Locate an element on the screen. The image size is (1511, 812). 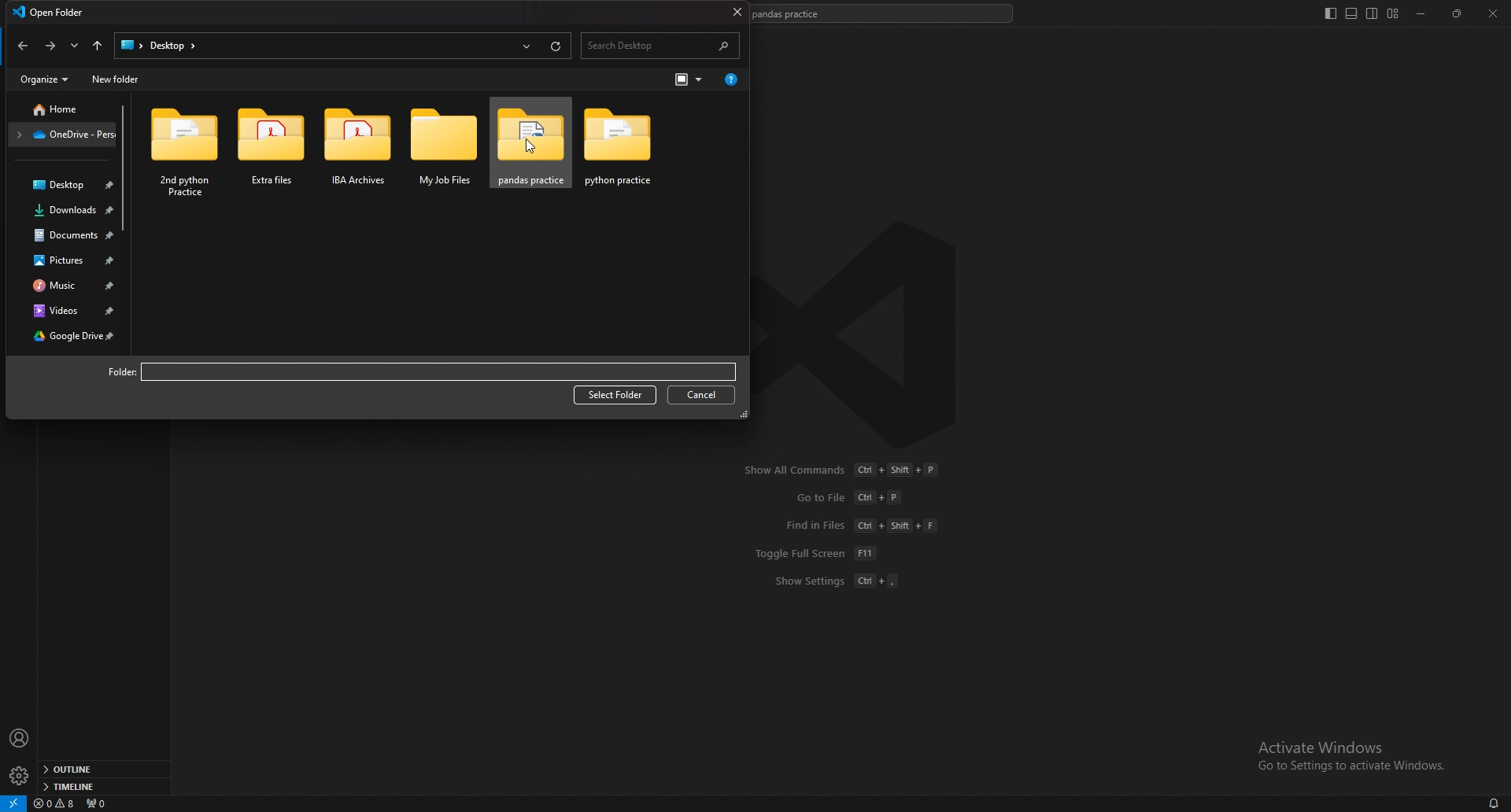
close is located at coordinates (735, 13).